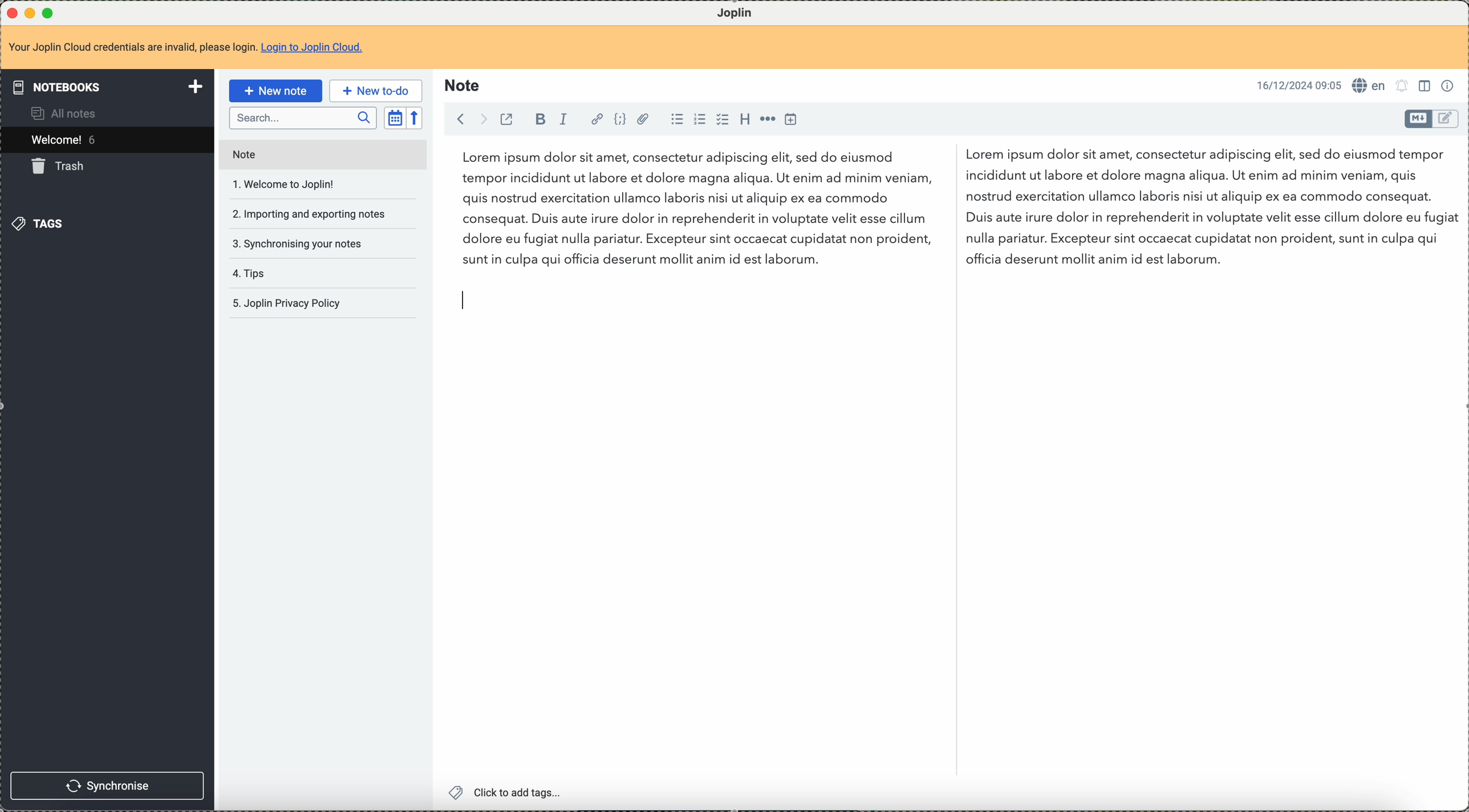 This screenshot has height=812, width=1469. What do you see at coordinates (769, 121) in the screenshot?
I see `horizontal rule` at bounding box center [769, 121].